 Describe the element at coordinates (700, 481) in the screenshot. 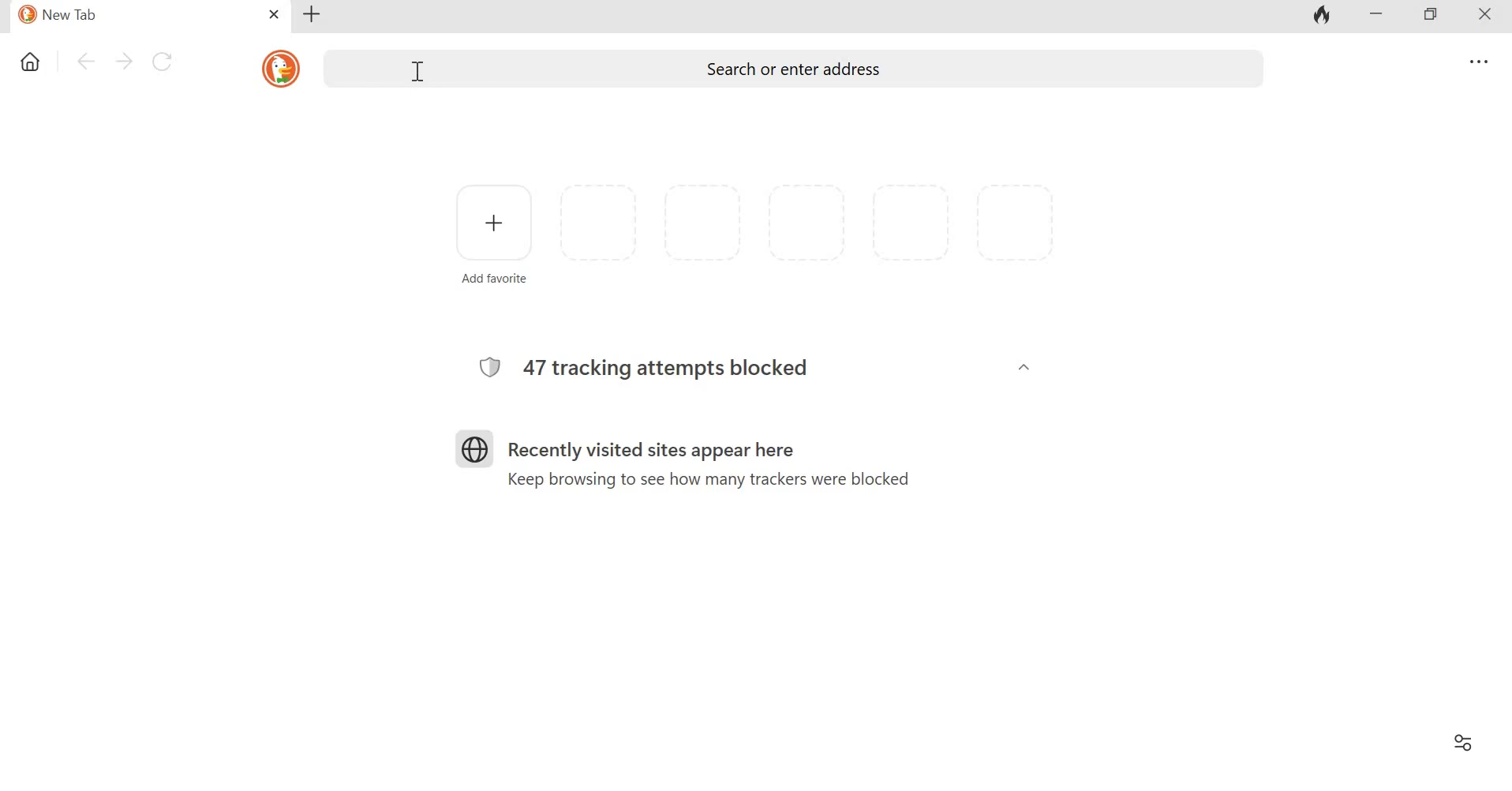

I see `Keep browsing to see how many trackers were blocked` at that location.